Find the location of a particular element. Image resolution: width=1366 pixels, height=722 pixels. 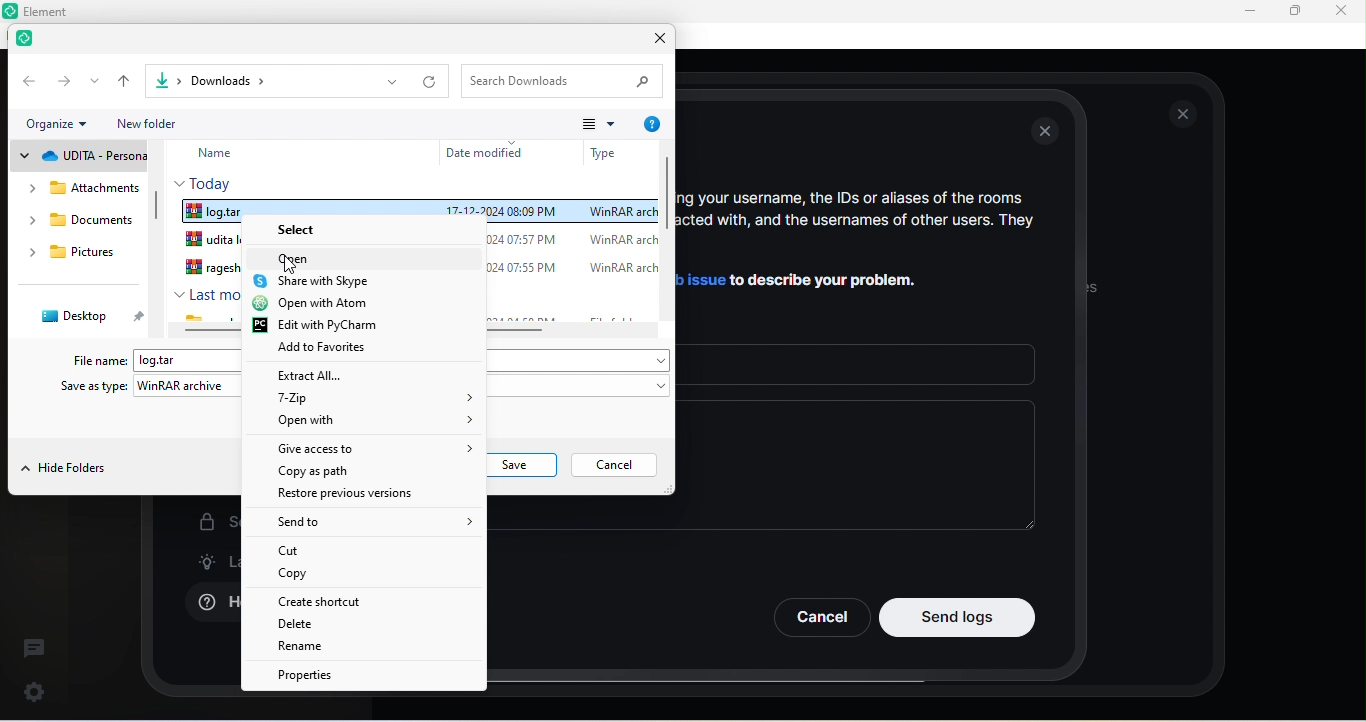

save is located at coordinates (523, 467).